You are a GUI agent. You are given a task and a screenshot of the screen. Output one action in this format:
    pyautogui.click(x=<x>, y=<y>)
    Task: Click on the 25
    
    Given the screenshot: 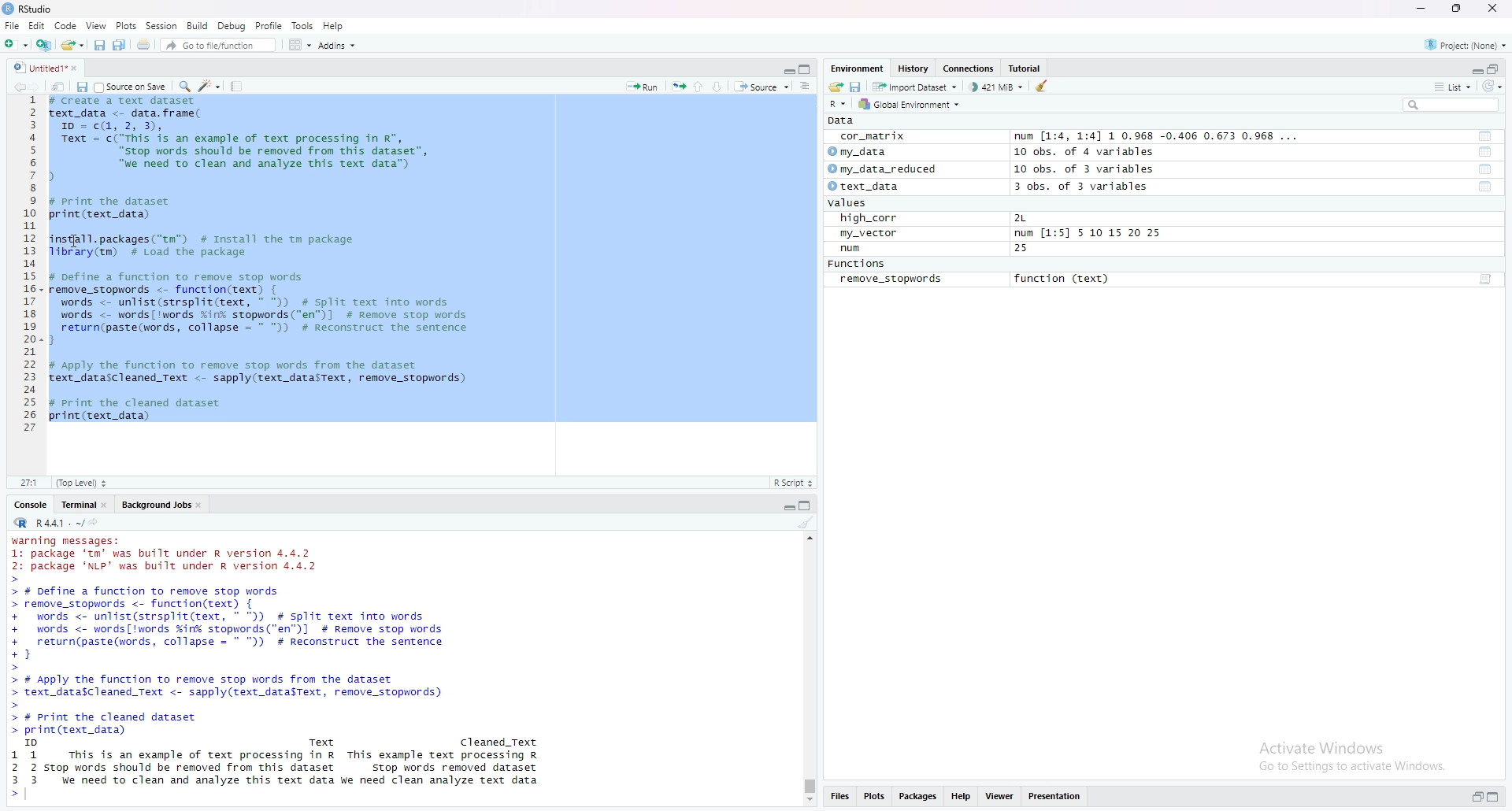 What is the action you would take?
    pyautogui.click(x=1022, y=250)
    